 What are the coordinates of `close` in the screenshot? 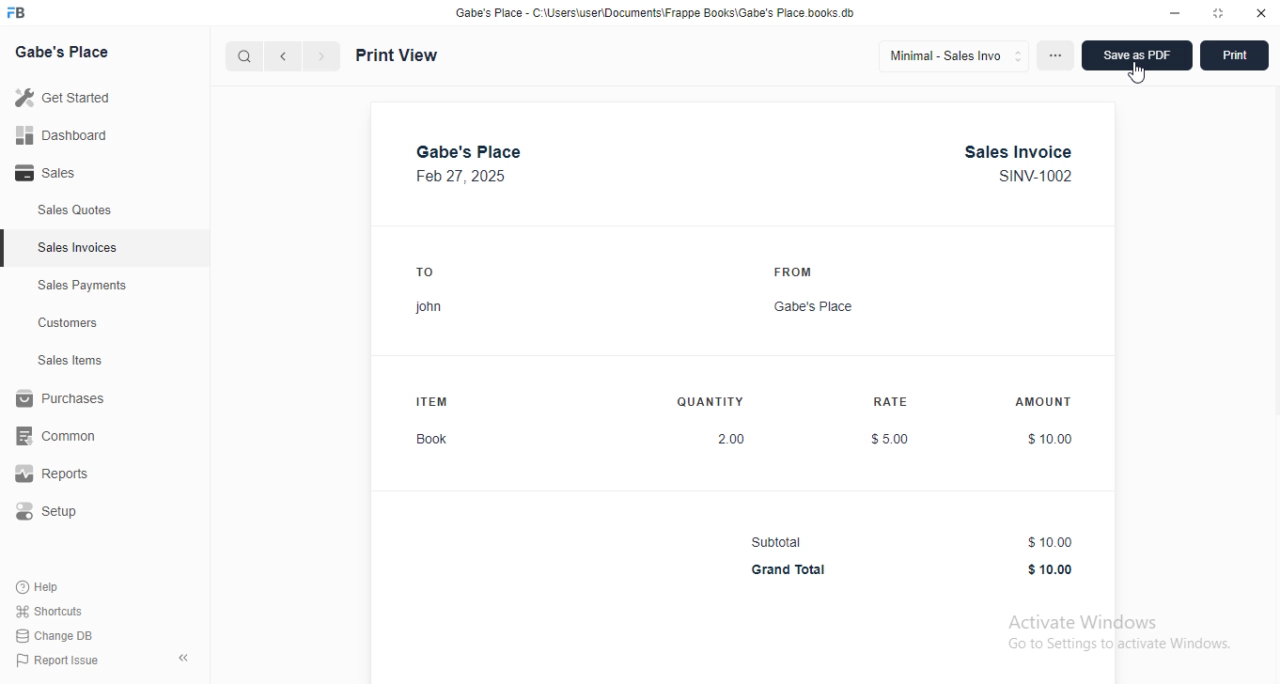 It's located at (1260, 12).